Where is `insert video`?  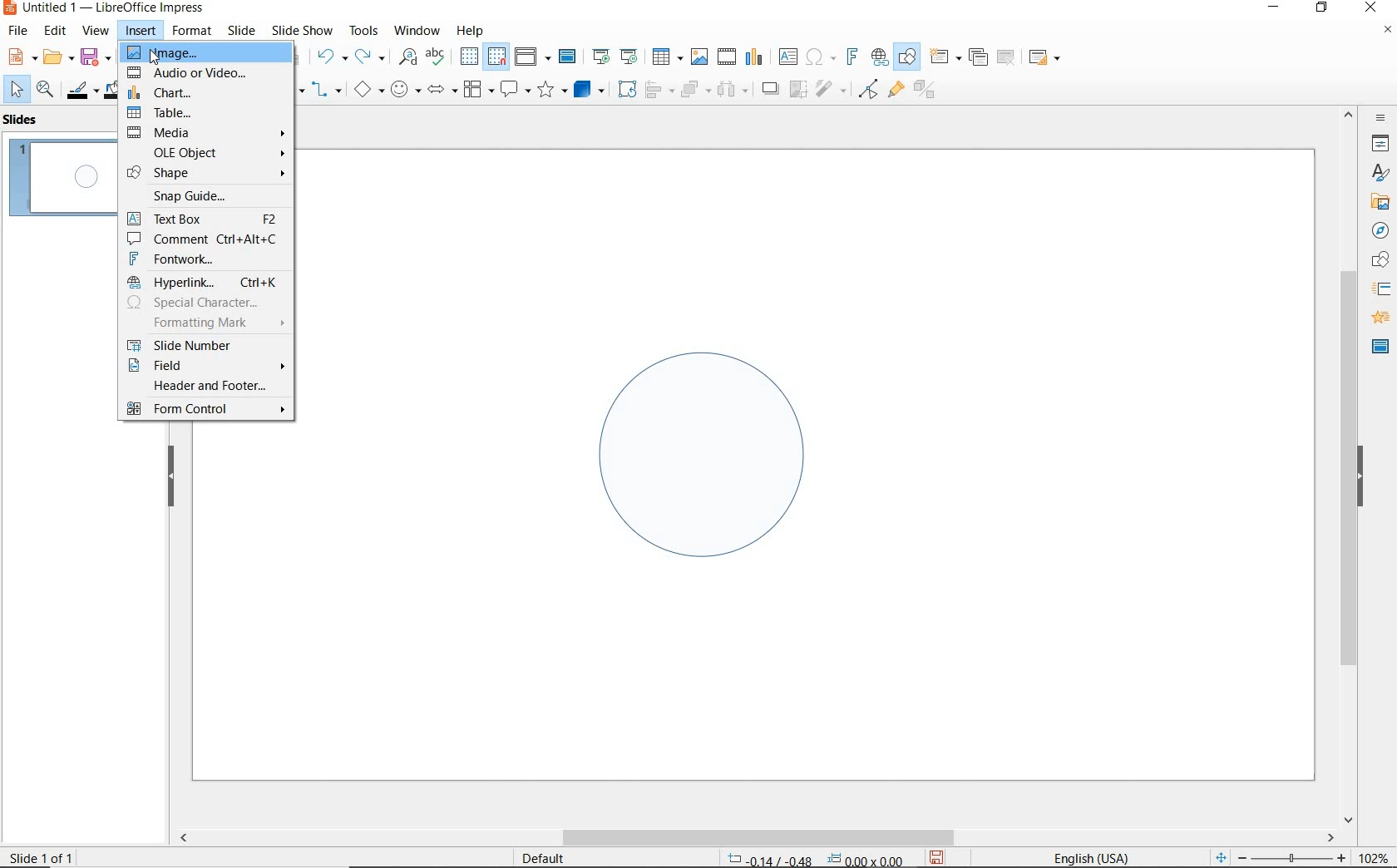
insert video is located at coordinates (725, 56).